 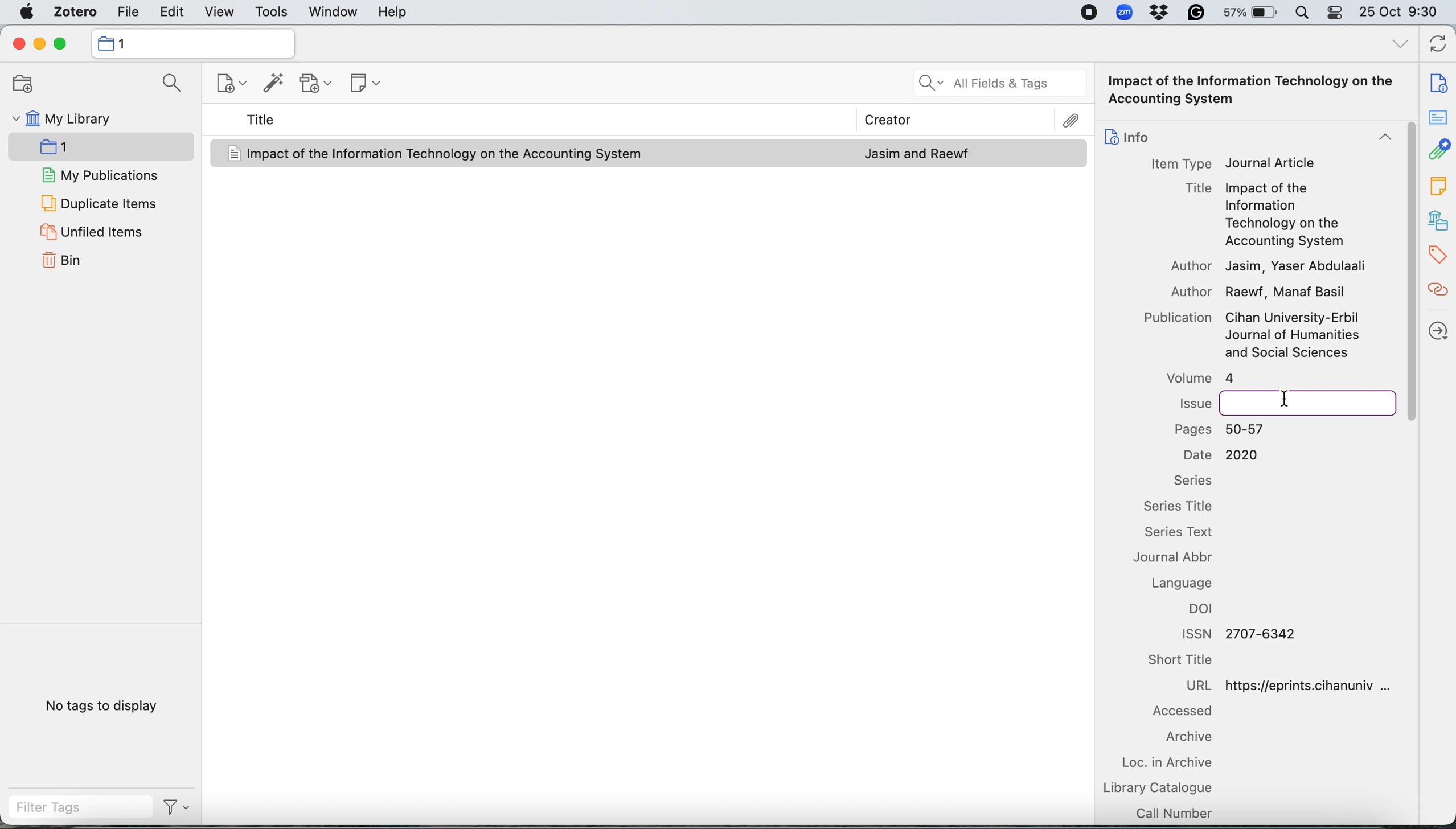 I want to click on list all tabs, so click(x=1396, y=46).